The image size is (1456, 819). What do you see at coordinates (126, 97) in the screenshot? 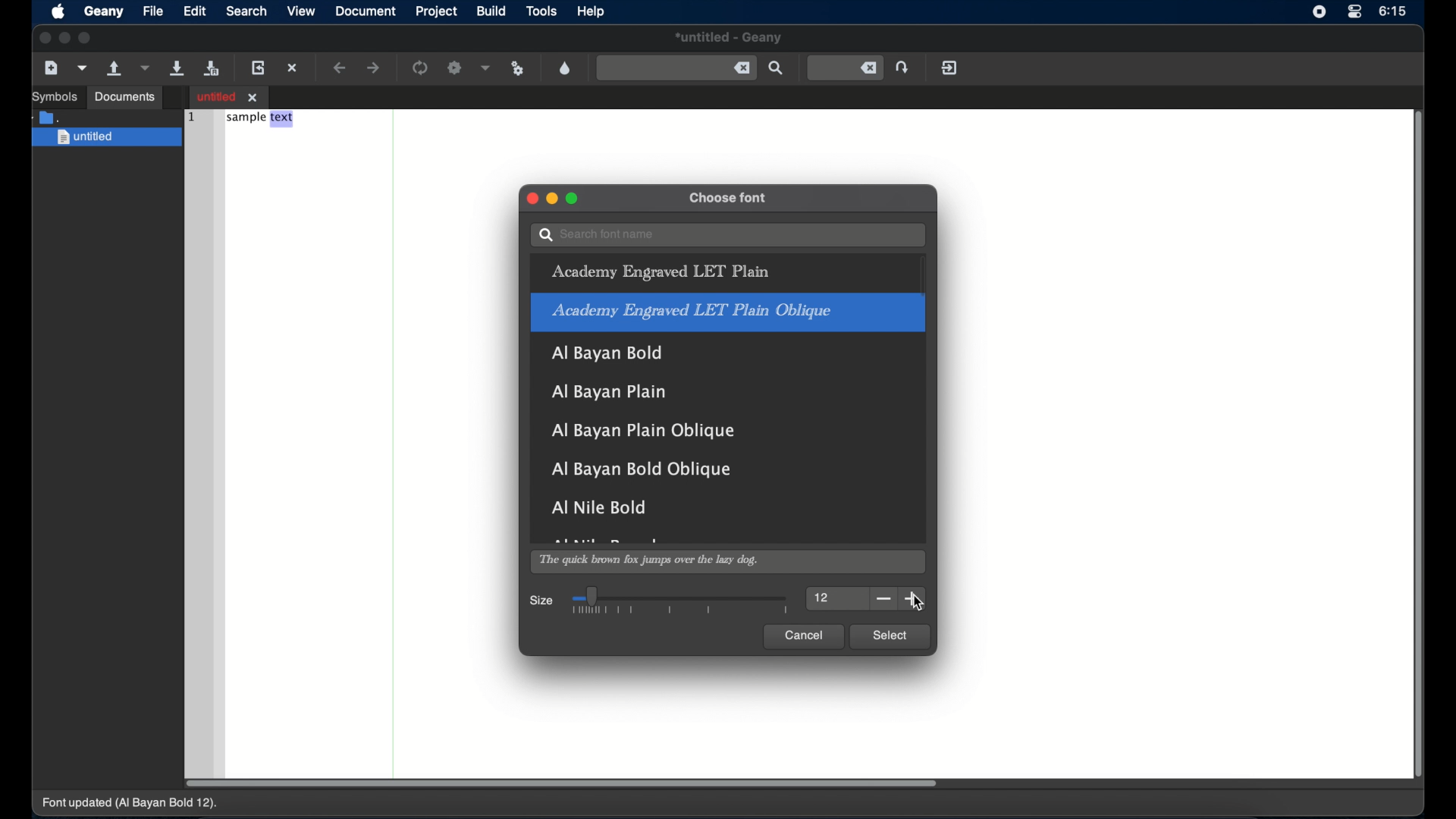
I see `documents` at bounding box center [126, 97].